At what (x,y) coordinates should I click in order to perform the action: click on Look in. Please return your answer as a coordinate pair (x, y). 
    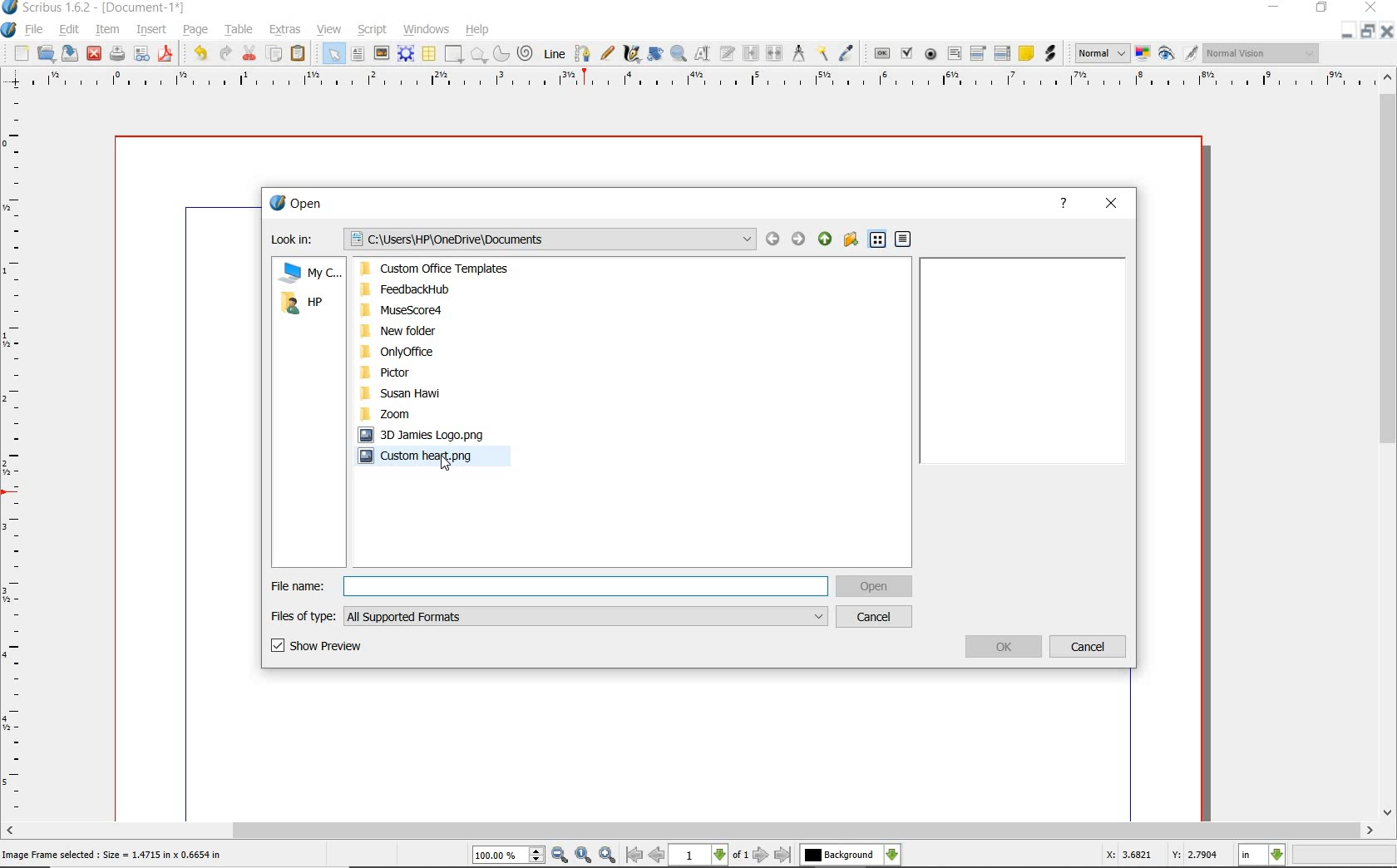
    Looking at the image, I should click on (514, 240).